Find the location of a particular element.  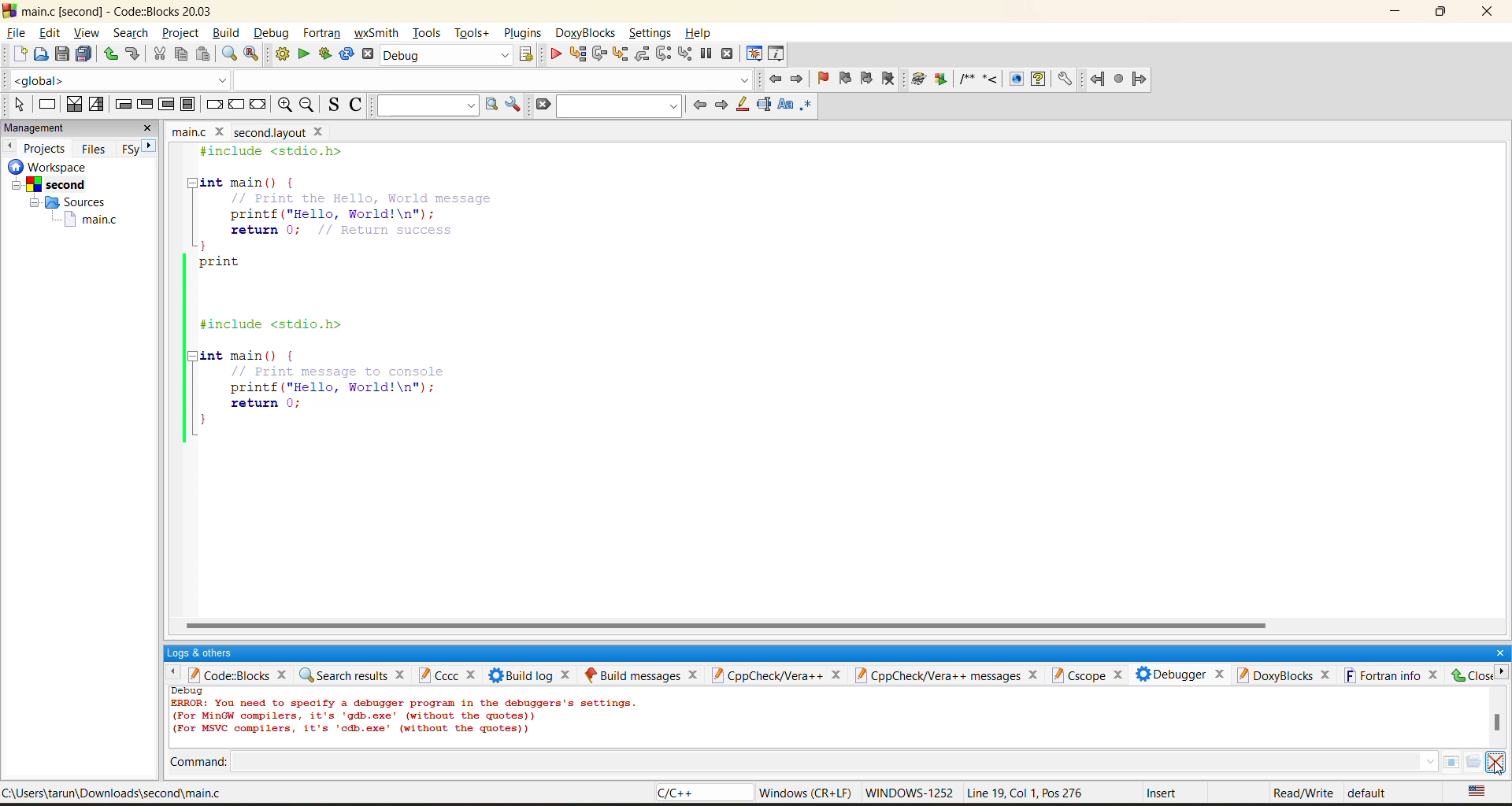

workspace is located at coordinates (76, 200).